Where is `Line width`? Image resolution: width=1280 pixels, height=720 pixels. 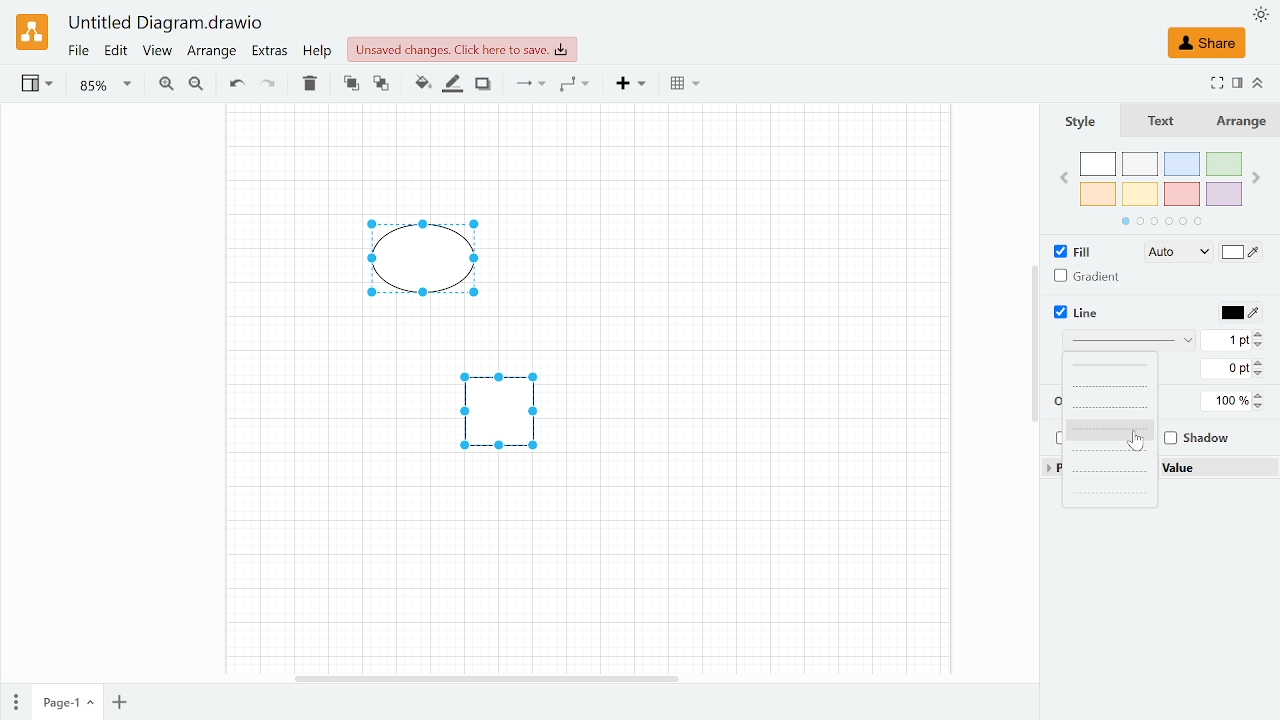
Line width is located at coordinates (1225, 340).